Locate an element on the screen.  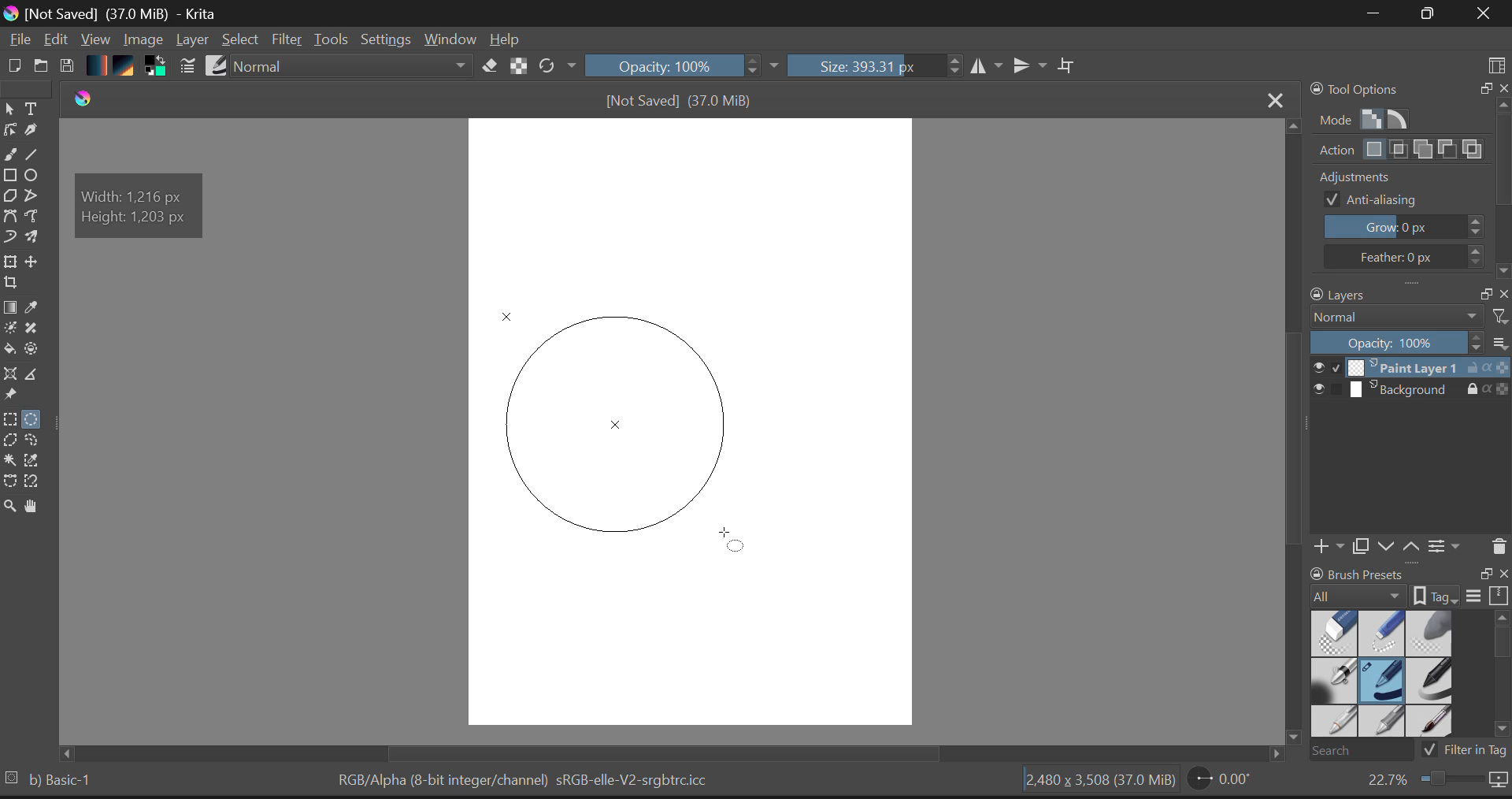
Crop is located at coordinates (1067, 66).